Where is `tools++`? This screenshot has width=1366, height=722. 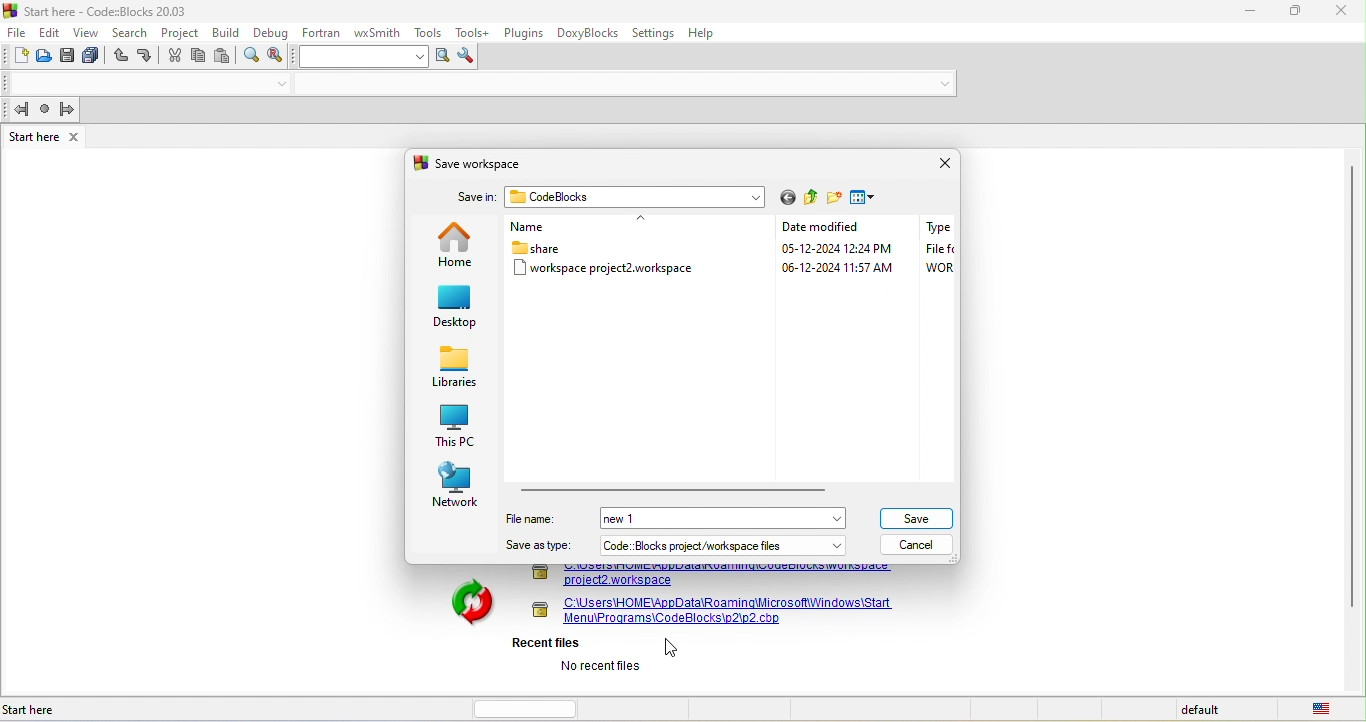
tools++ is located at coordinates (474, 32).